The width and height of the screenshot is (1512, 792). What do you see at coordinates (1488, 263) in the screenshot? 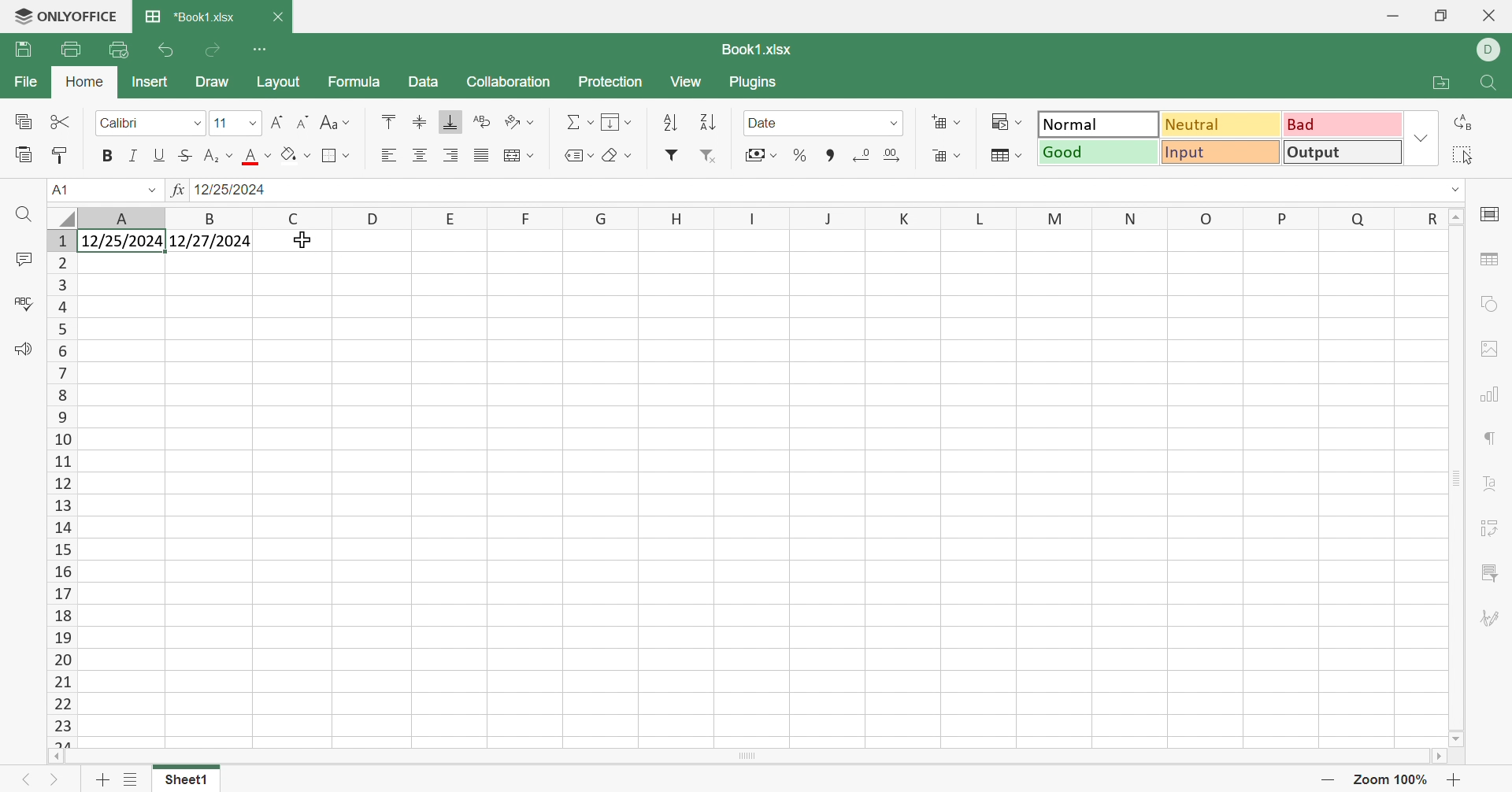
I see `Table settings` at bounding box center [1488, 263].